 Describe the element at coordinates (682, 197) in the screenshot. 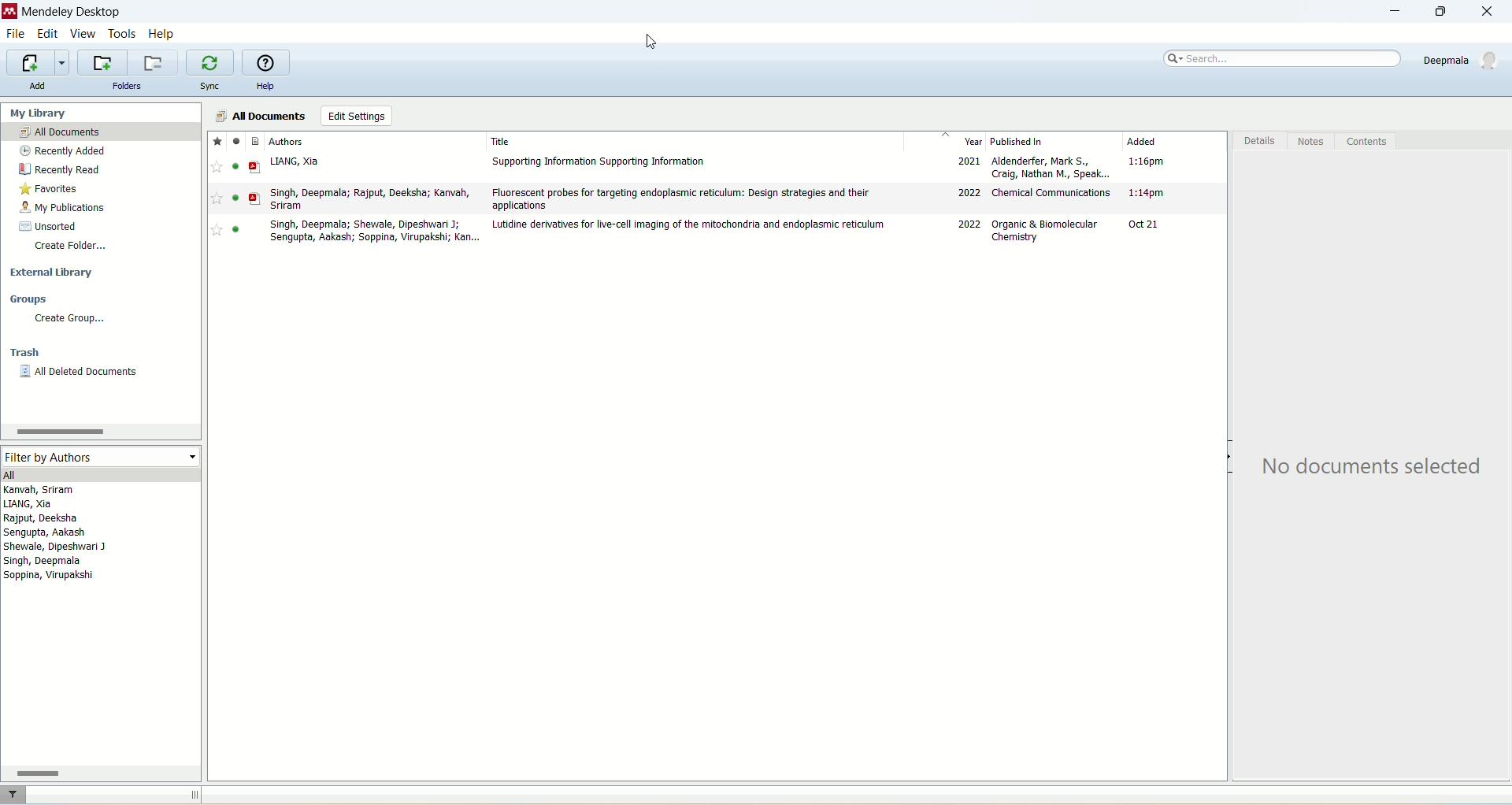

I see `Flourescent probes for targeting endoplasmic reticulum; Desing strategies and their applications` at that location.